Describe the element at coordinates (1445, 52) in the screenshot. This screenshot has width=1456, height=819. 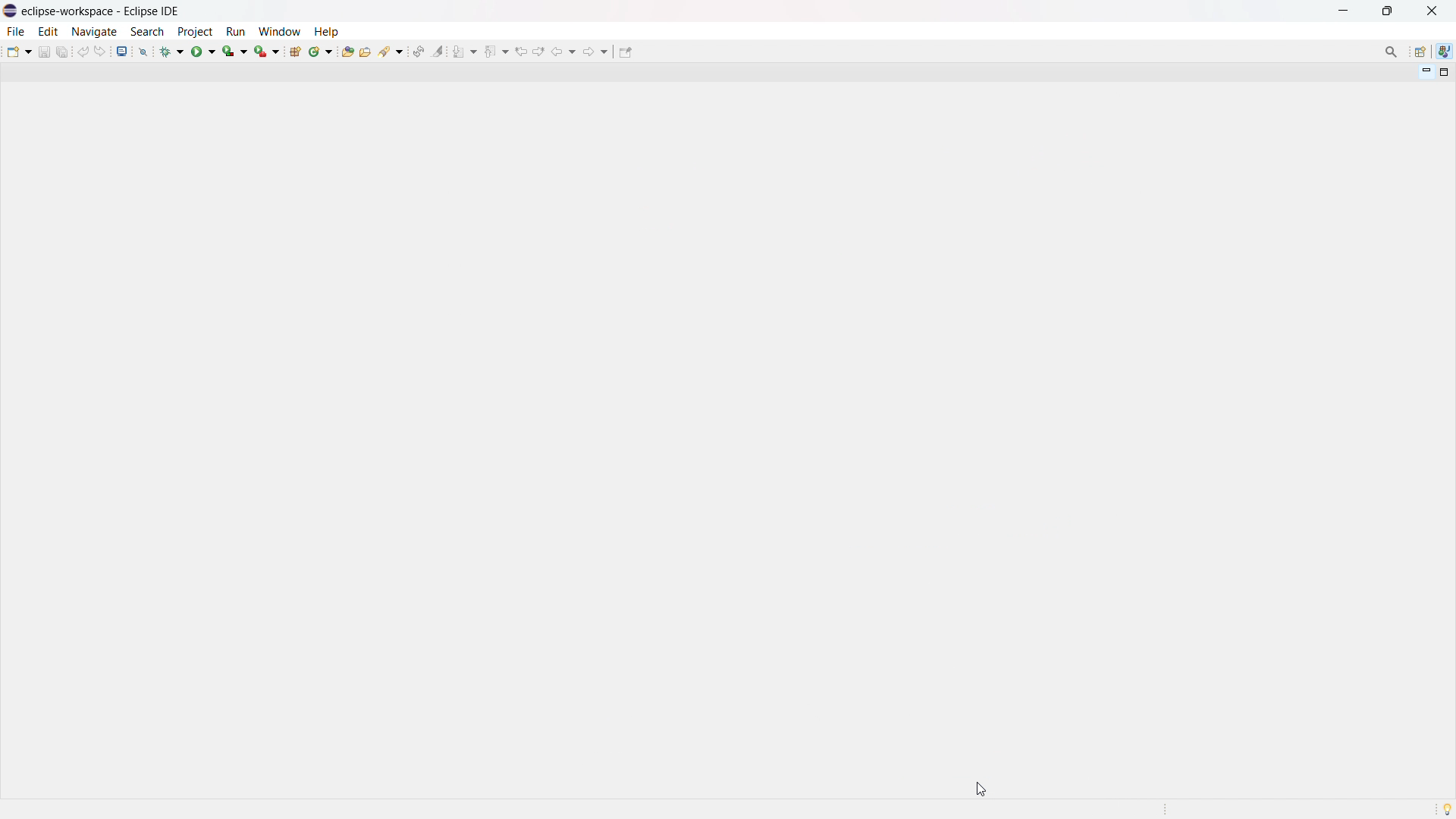
I see `java` at that location.